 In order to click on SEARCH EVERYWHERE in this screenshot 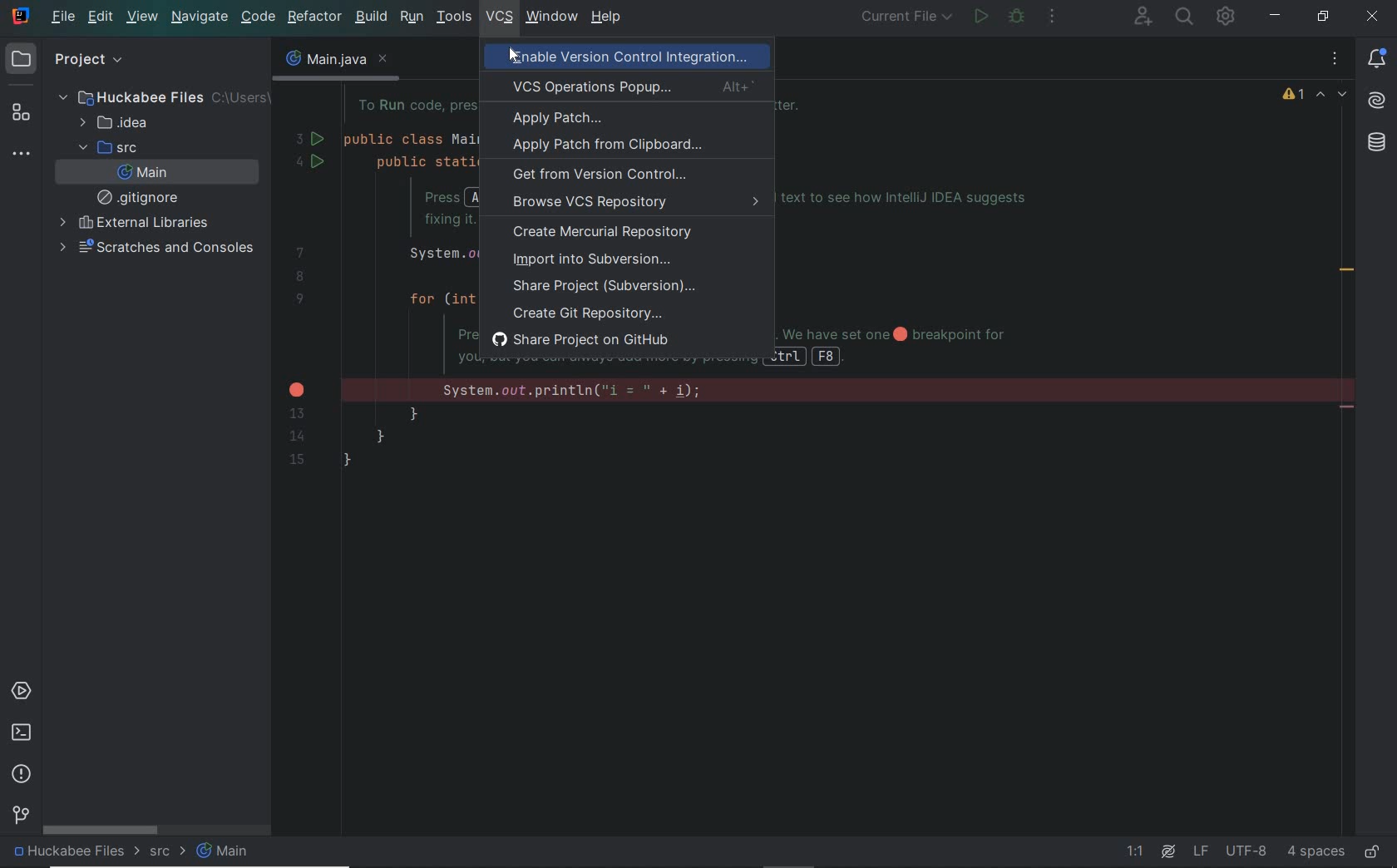, I will do `click(1185, 18)`.